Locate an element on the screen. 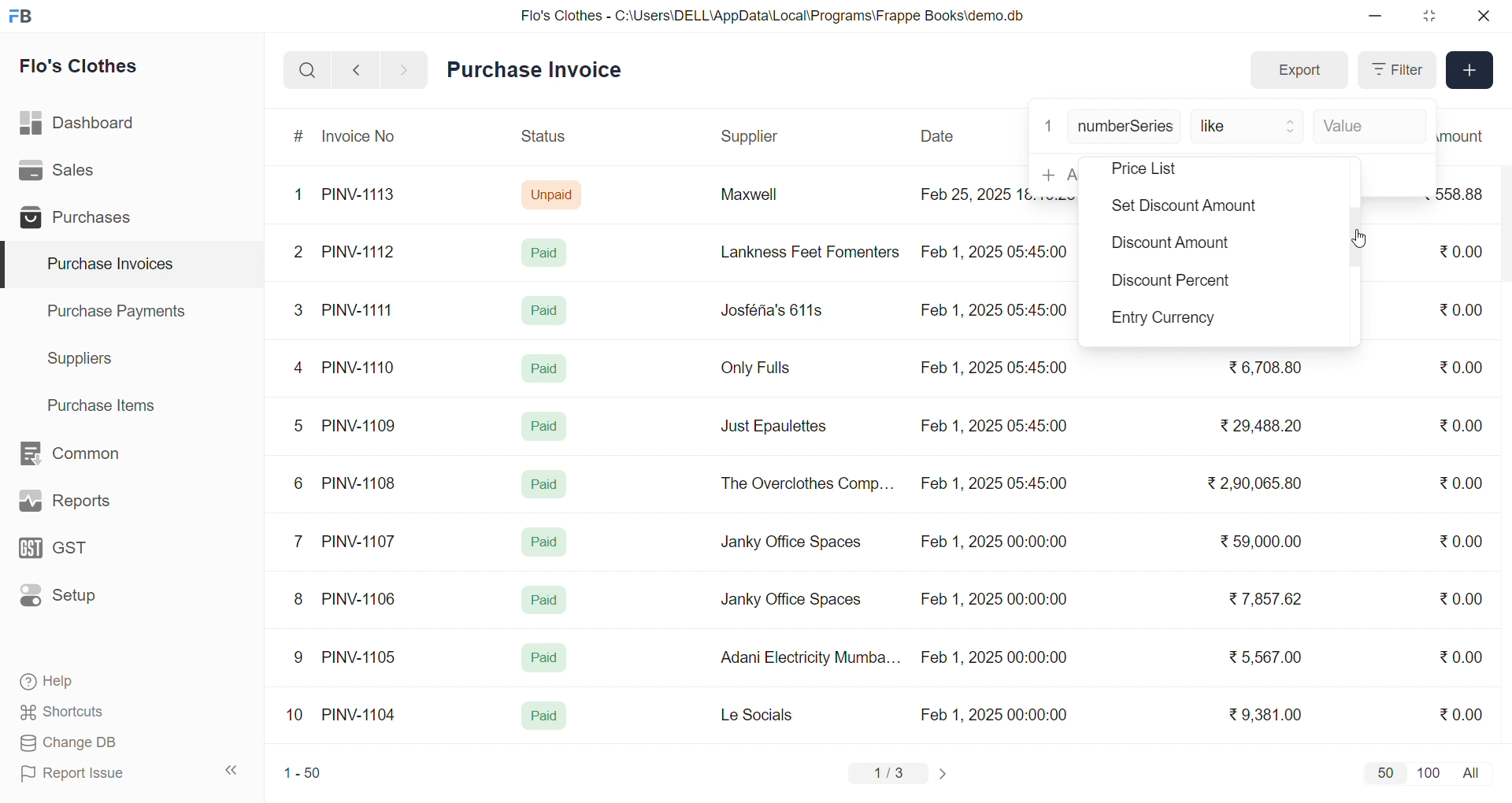 This screenshot has height=803, width=1512. Purchase Payments is located at coordinates (121, 310).